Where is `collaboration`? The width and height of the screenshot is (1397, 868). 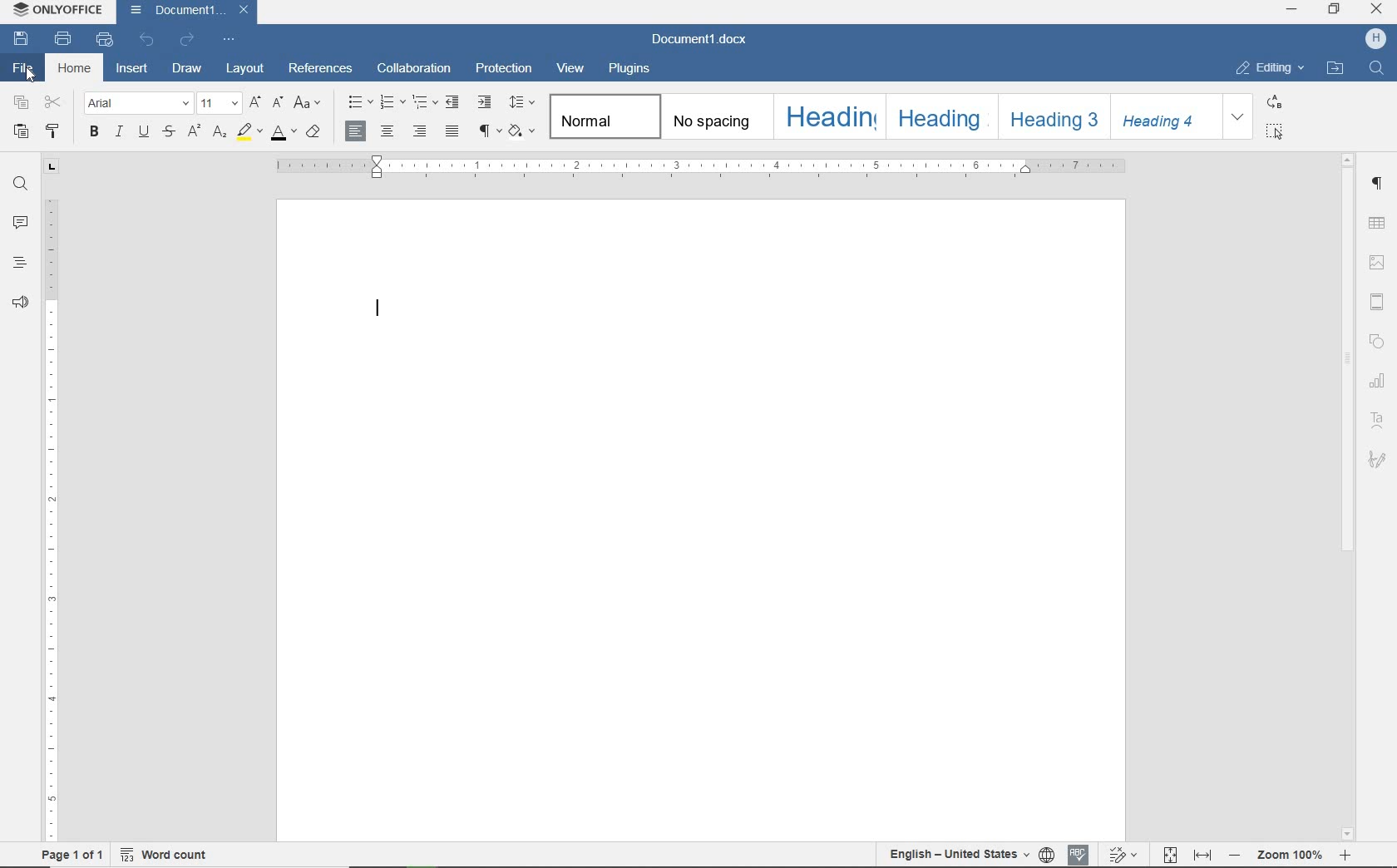
collaboration is located at coordinates (413, 67).